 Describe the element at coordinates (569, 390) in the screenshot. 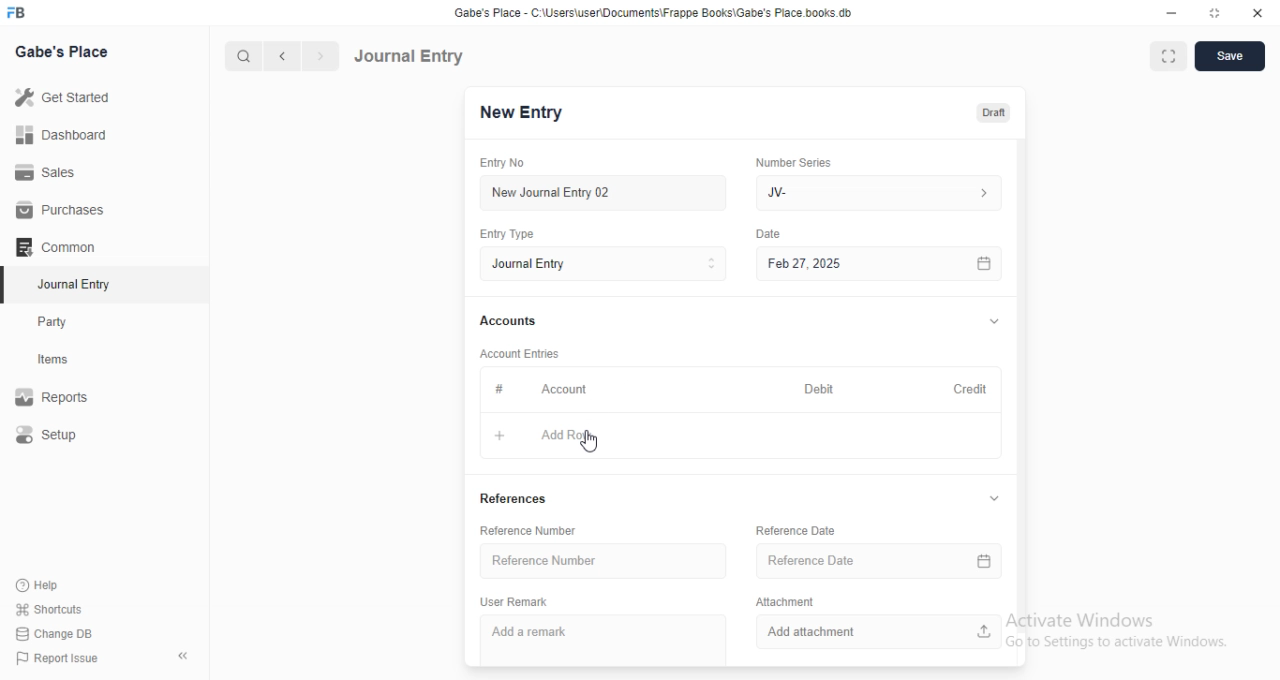

I see `Account` at that location.